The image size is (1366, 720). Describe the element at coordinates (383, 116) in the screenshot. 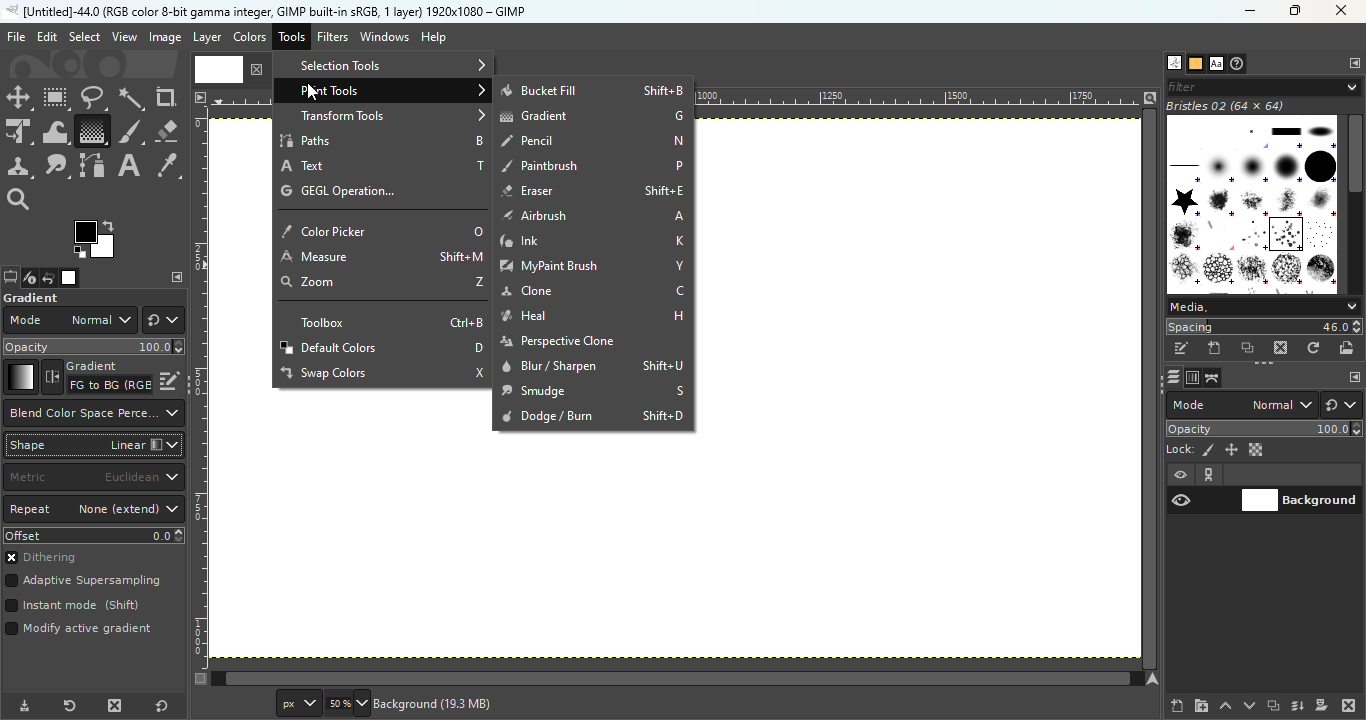

I see `Transform tools` at that location.